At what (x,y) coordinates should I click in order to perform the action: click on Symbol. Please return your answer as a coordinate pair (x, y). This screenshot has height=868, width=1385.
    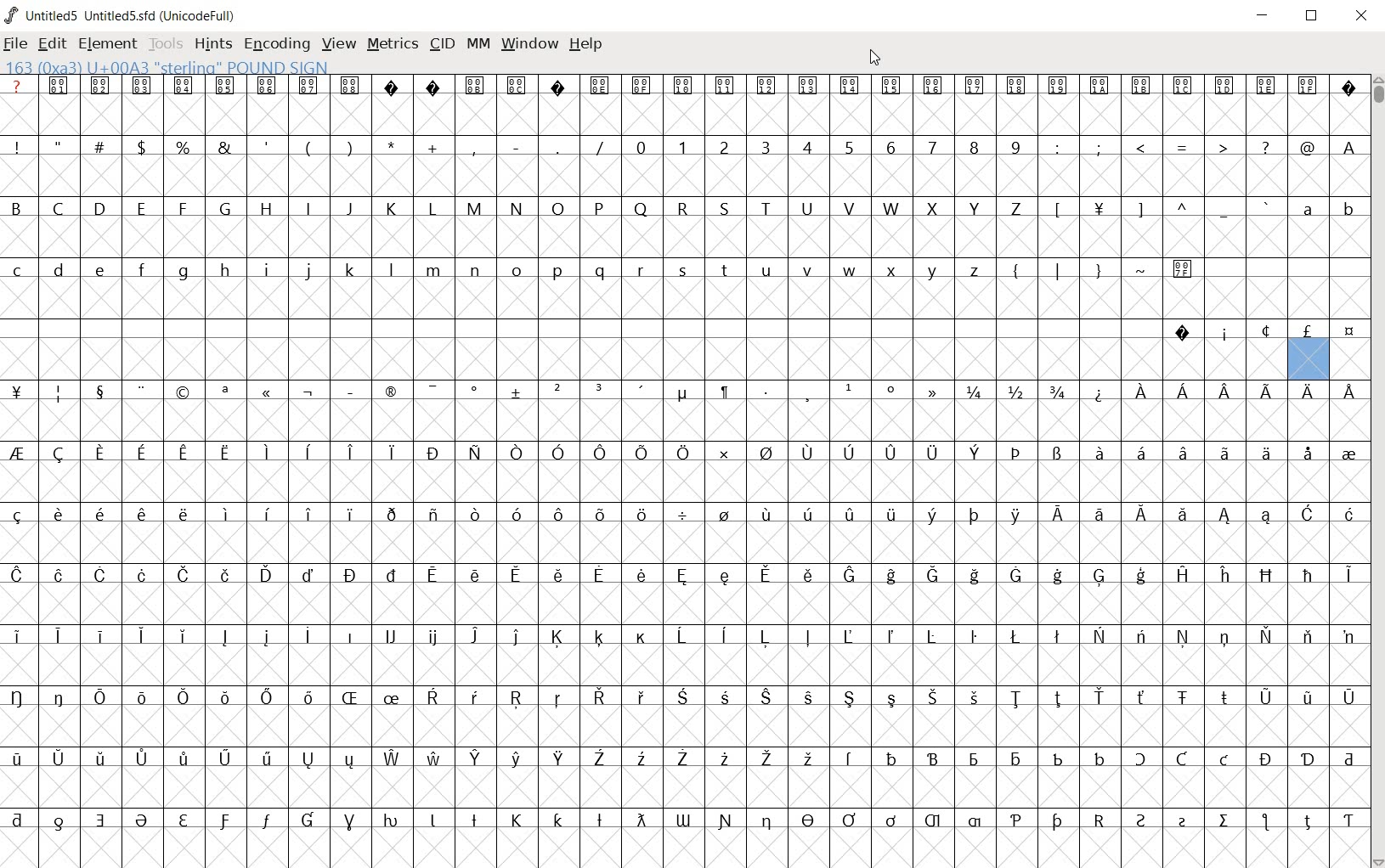
    Looking at the image, I should click on (100, 760).